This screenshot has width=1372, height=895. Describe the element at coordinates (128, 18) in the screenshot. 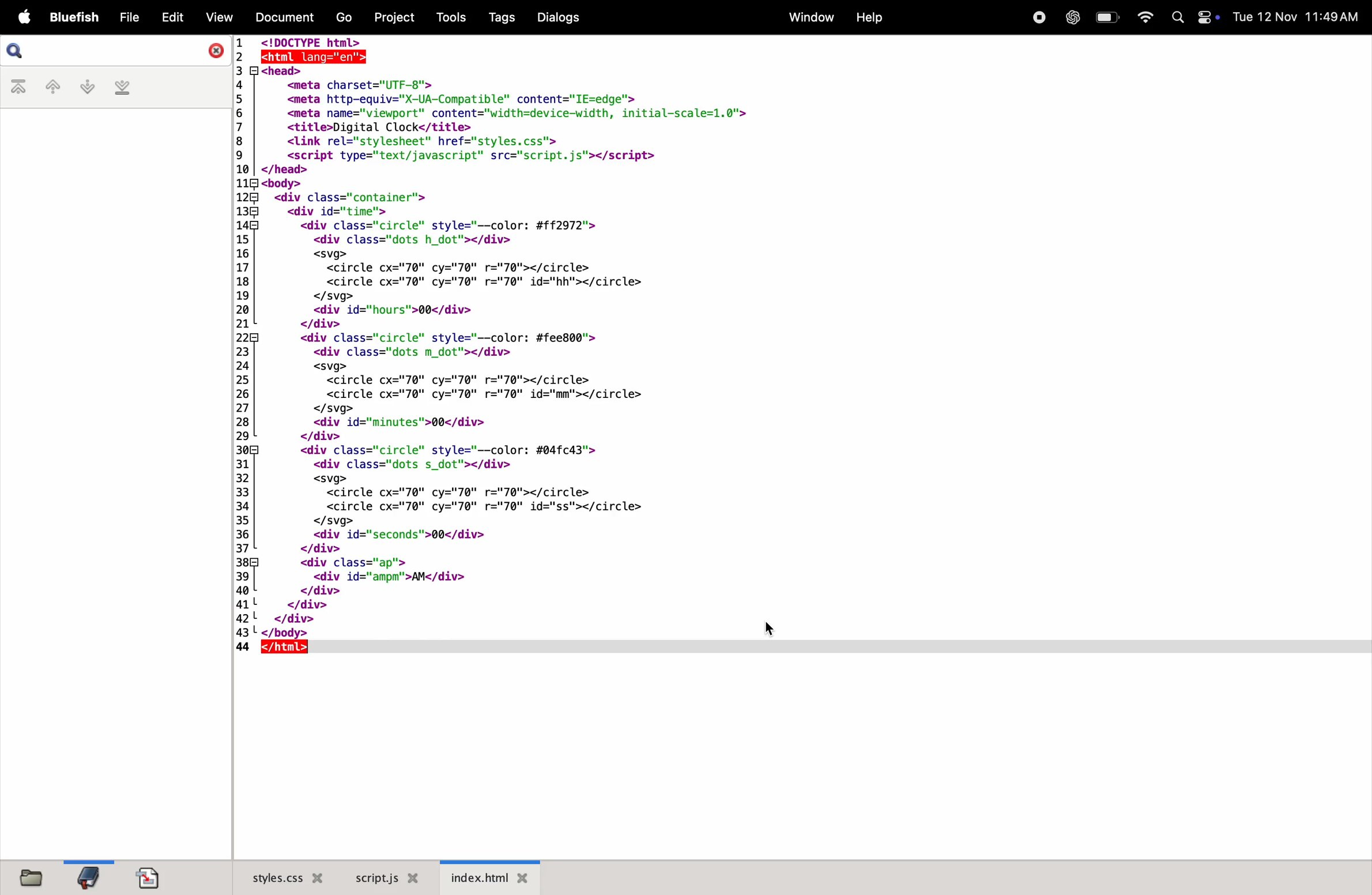

I see `file` at that location.